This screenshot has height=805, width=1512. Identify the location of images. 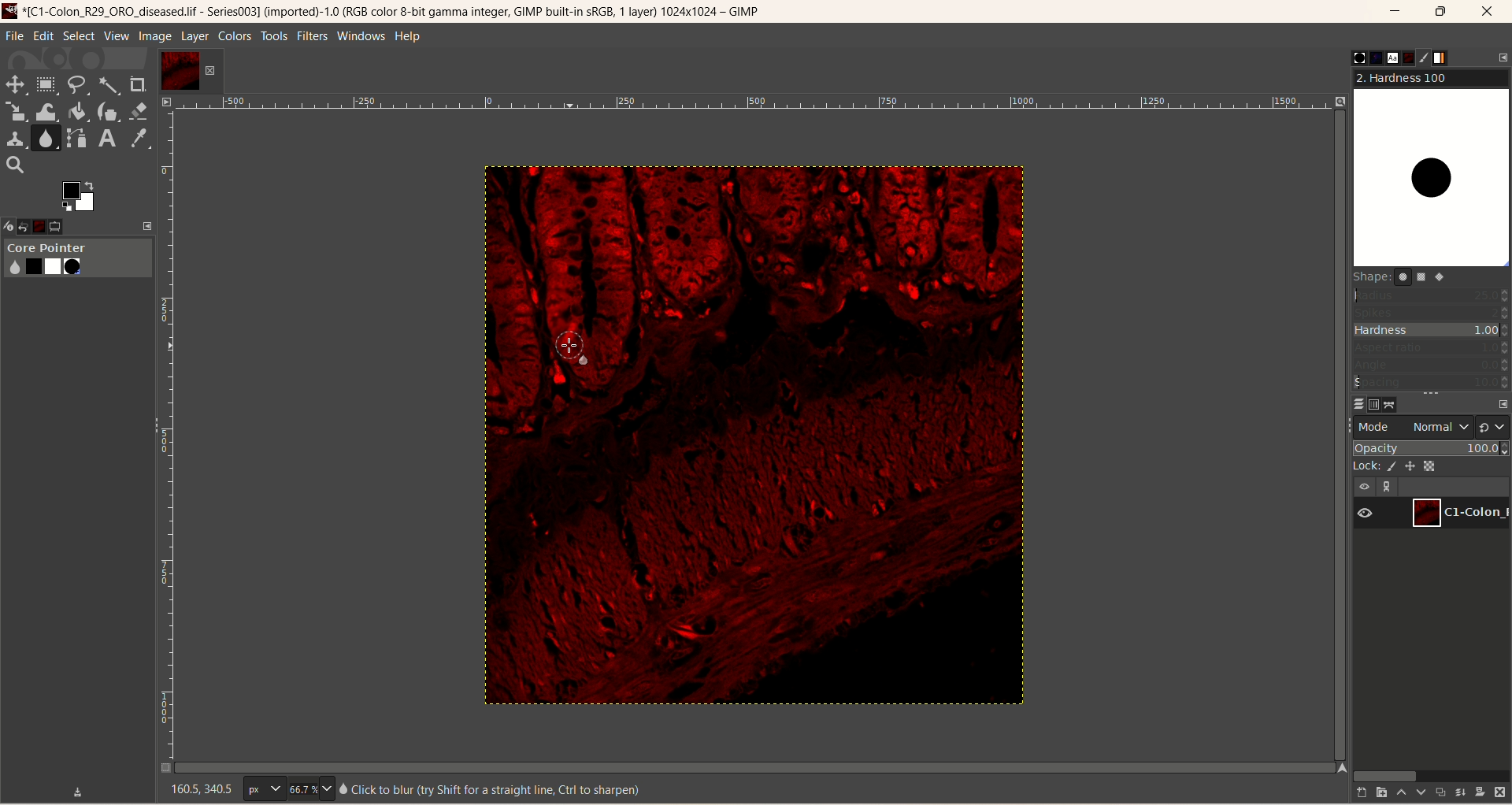
(50, 224).